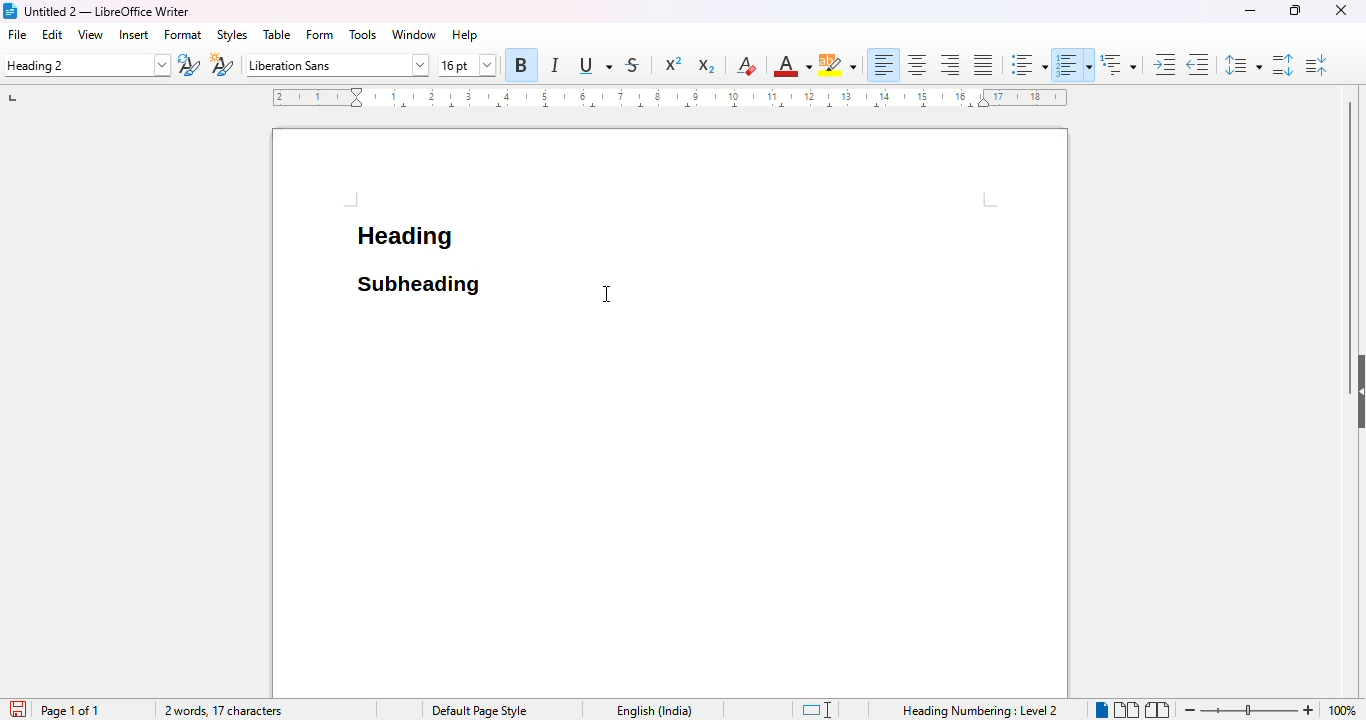 This screenshot has height=720, width=1366. I want to click on book view, so click(1158, 708).